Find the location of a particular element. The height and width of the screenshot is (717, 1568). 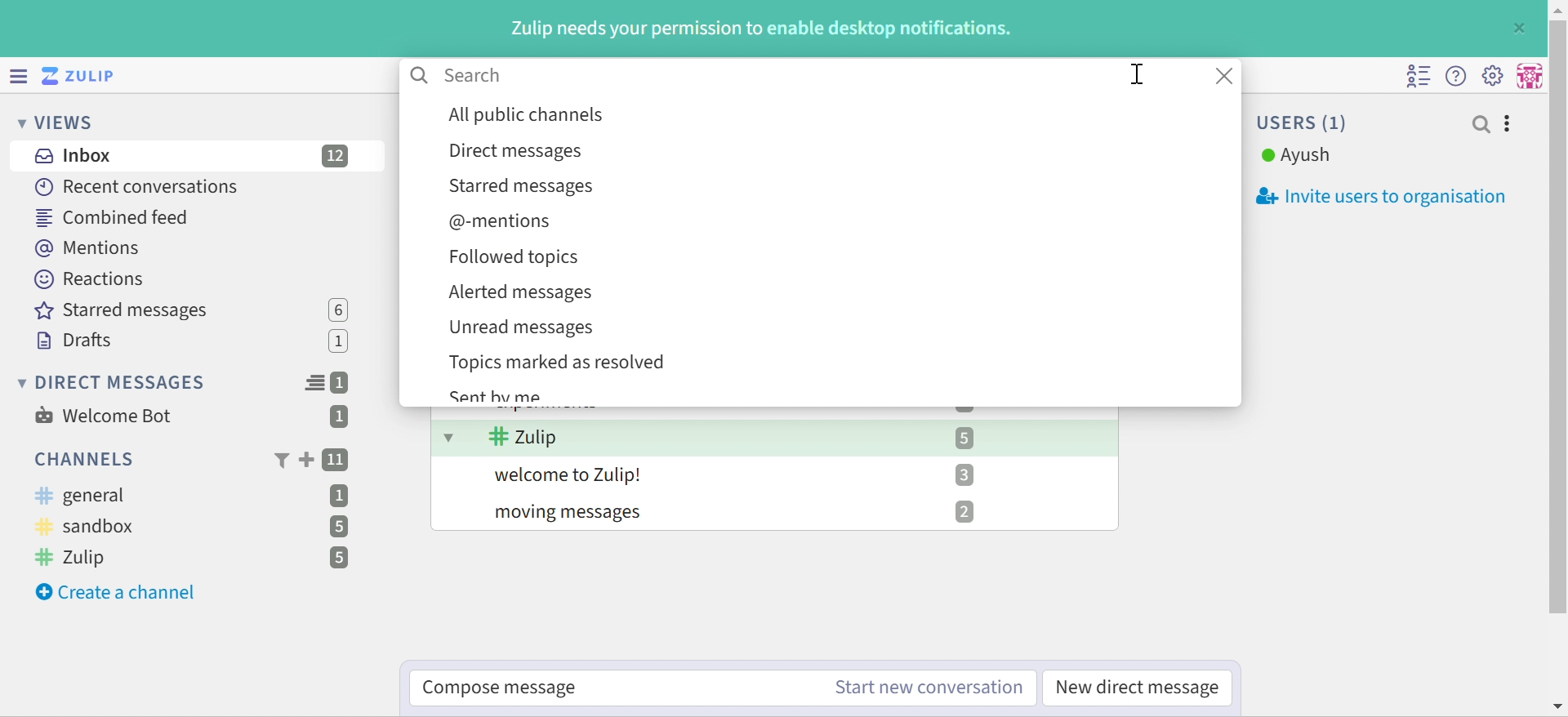

Starred messages is located at coordinates (523, 188).